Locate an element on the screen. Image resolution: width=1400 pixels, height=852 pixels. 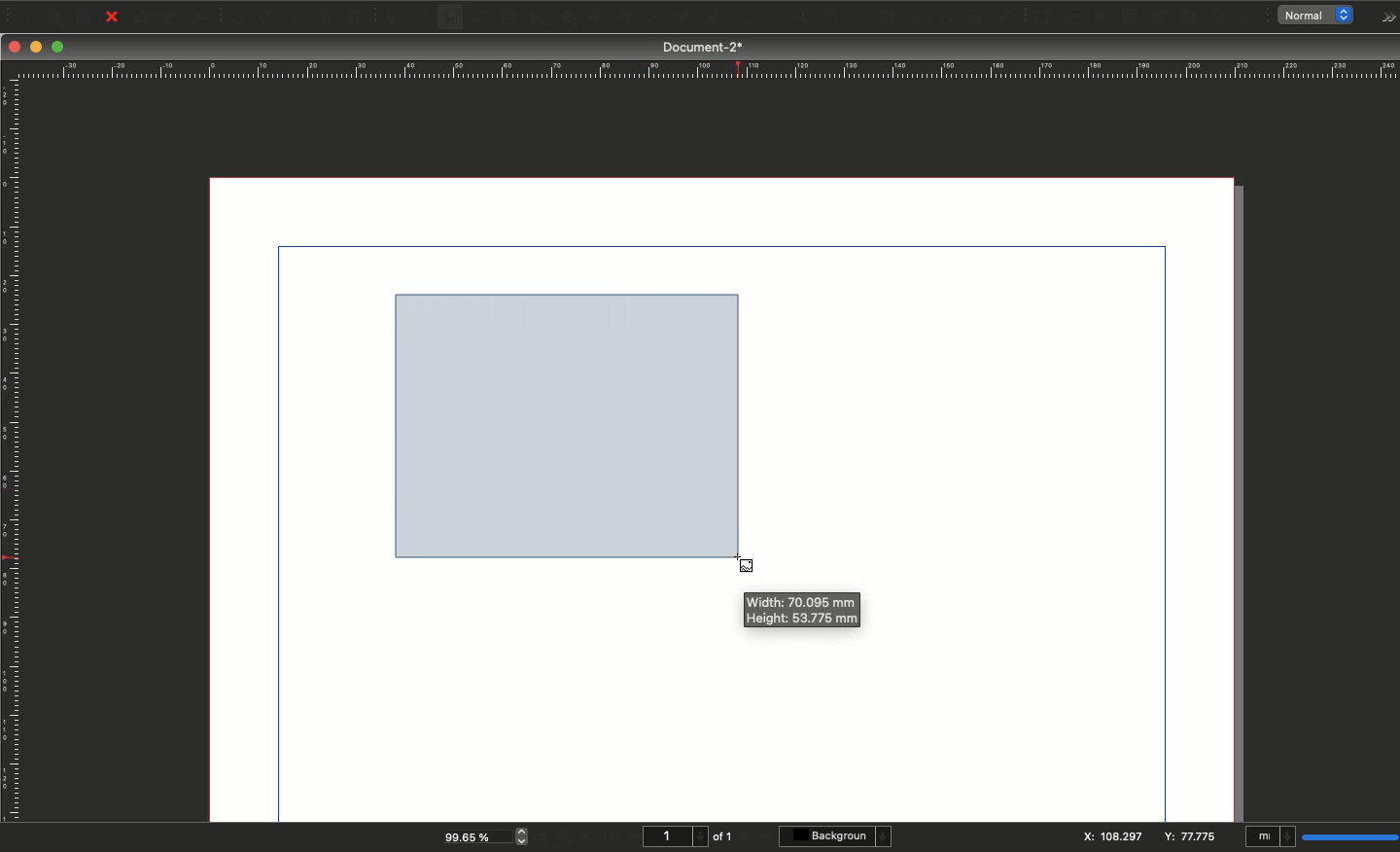
Select item is located at coordinates (393, 18).